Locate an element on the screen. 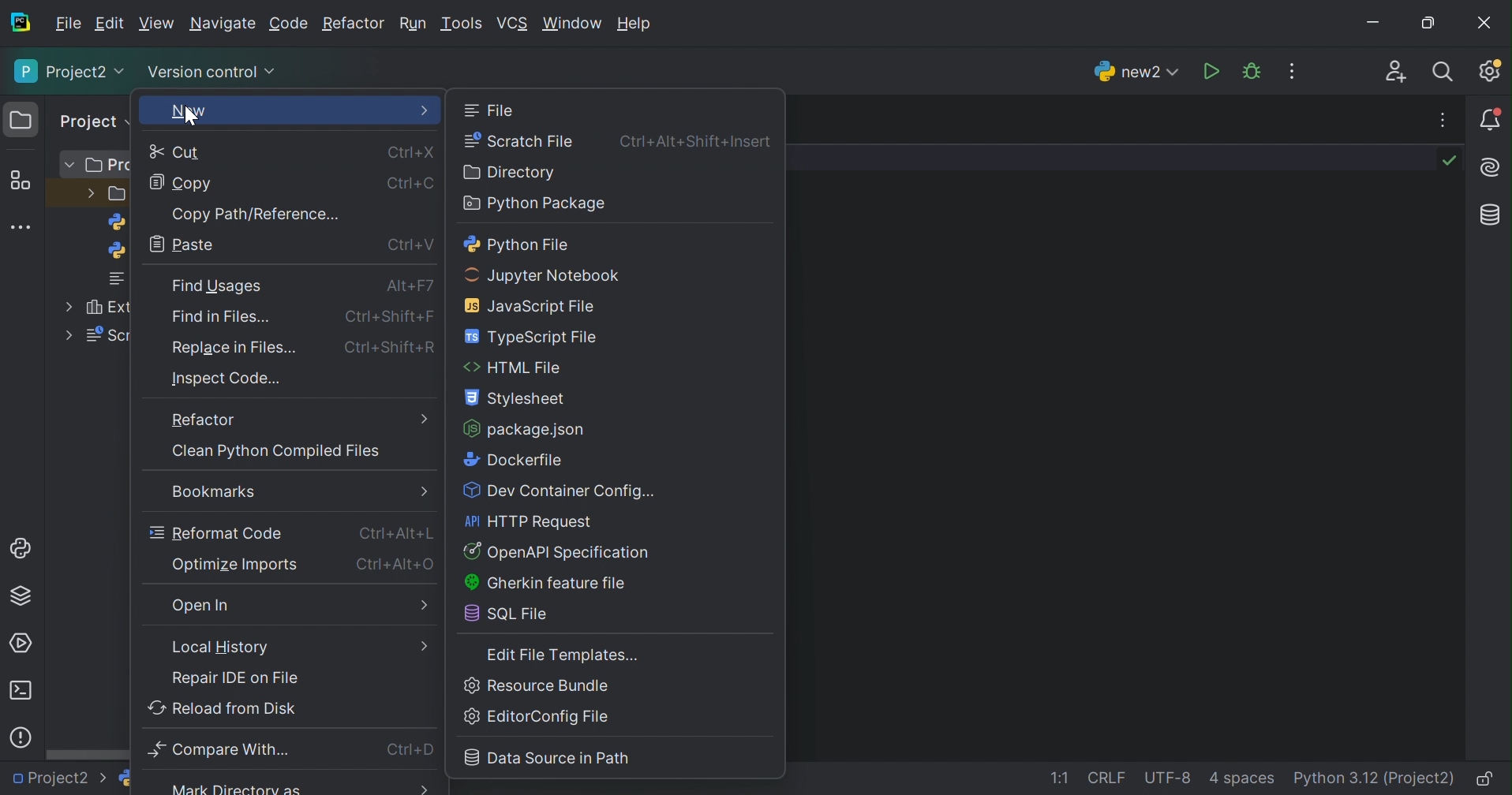 The width and height of the screenshot is (1512, 795). Refactor is located at coordinates (353, 24).